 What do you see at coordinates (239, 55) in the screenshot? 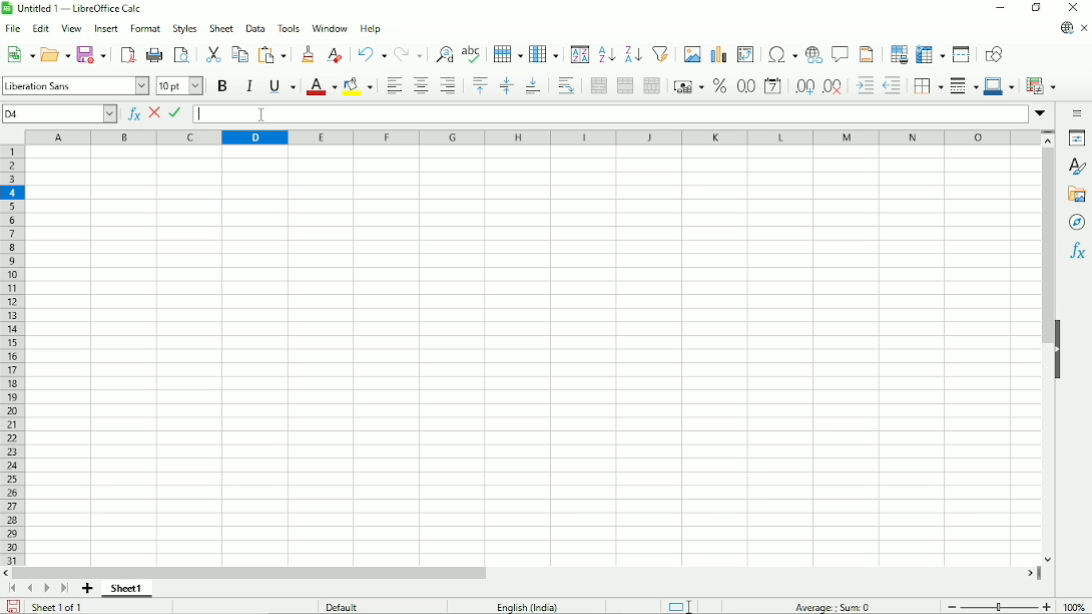
I see `Copy` at bounding box center [239, 55].